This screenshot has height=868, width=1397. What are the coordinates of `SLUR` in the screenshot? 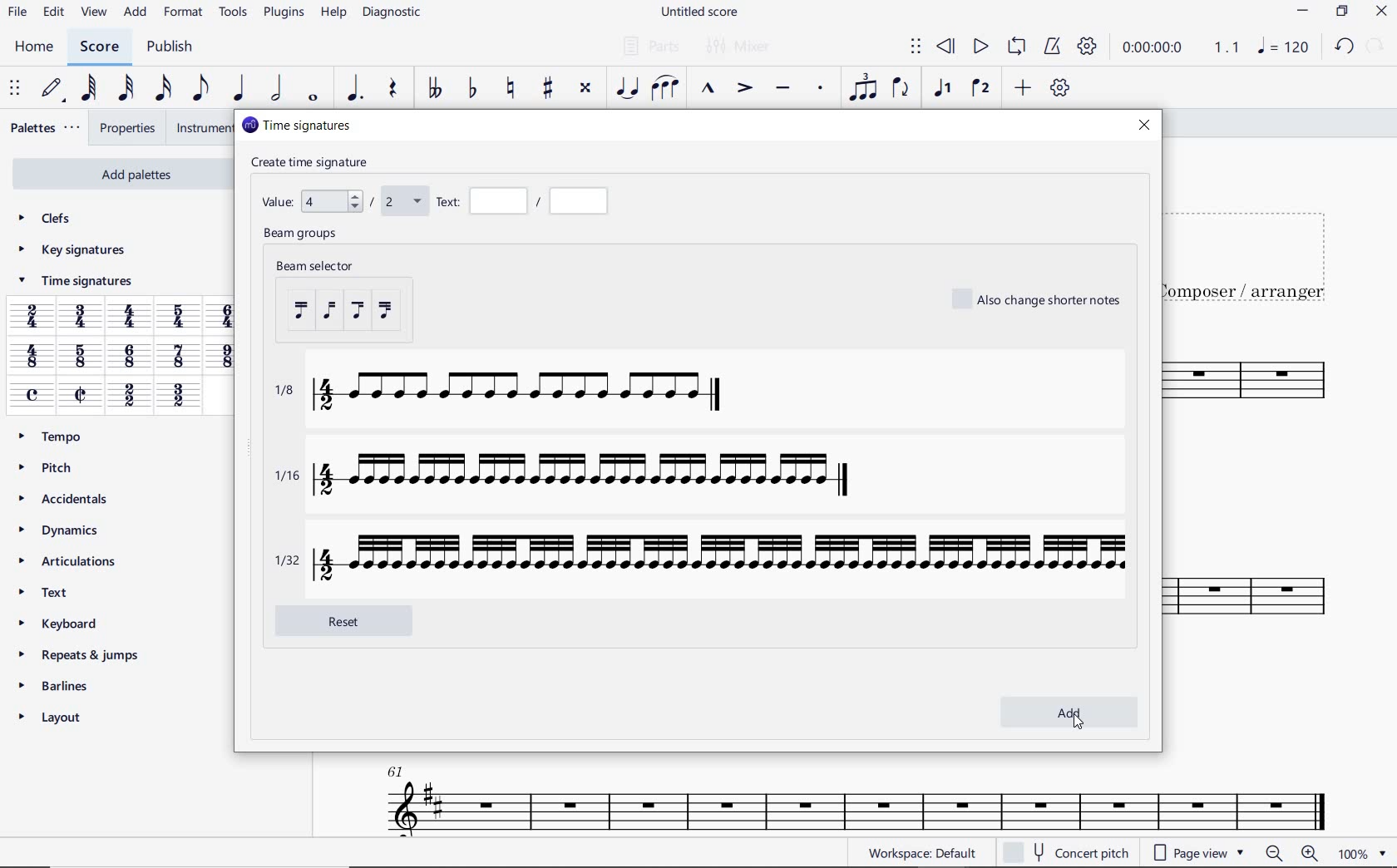 It's located at (664, 88).